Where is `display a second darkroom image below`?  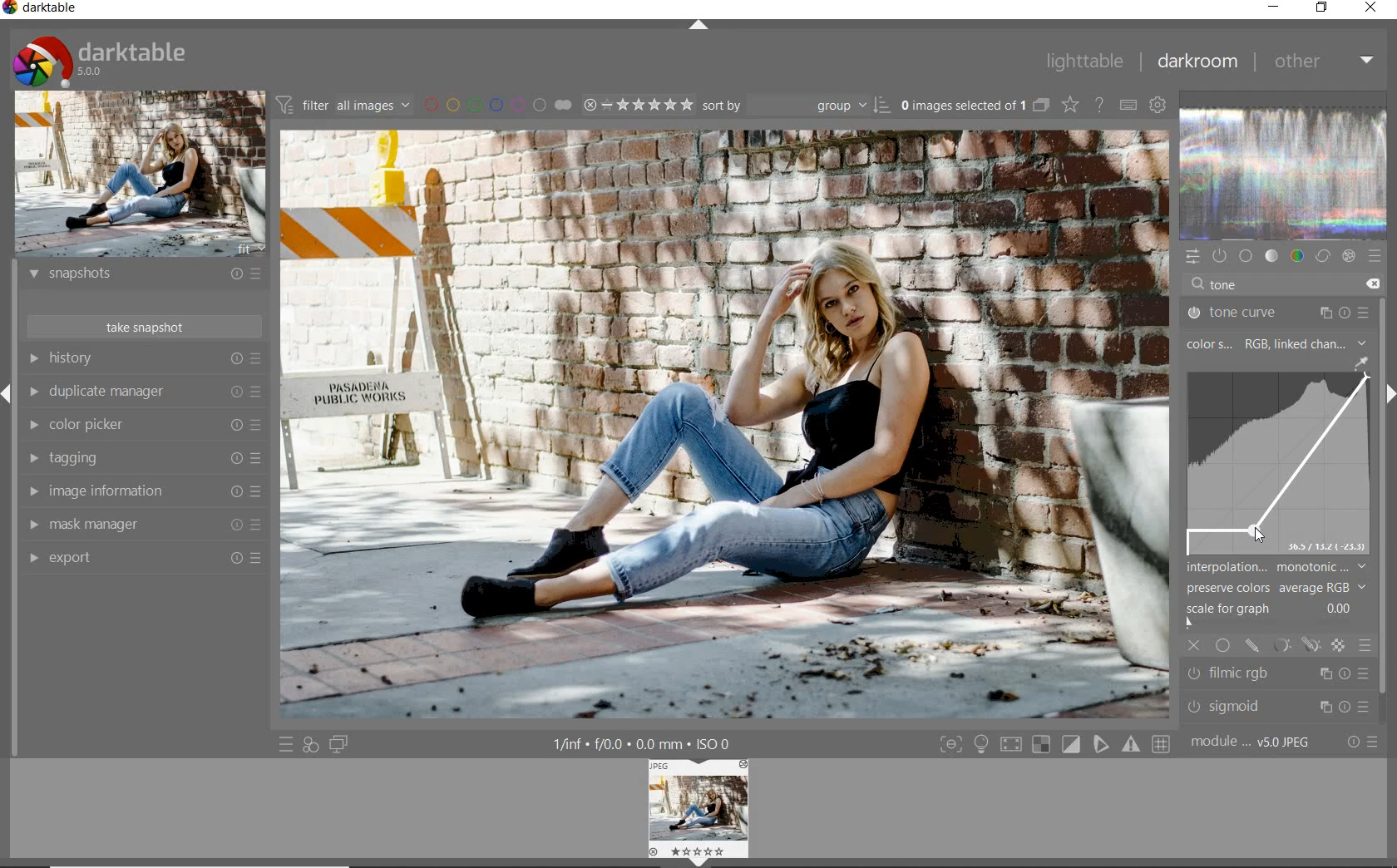
display a second darkroom image below is located at coordinates (341, 743).